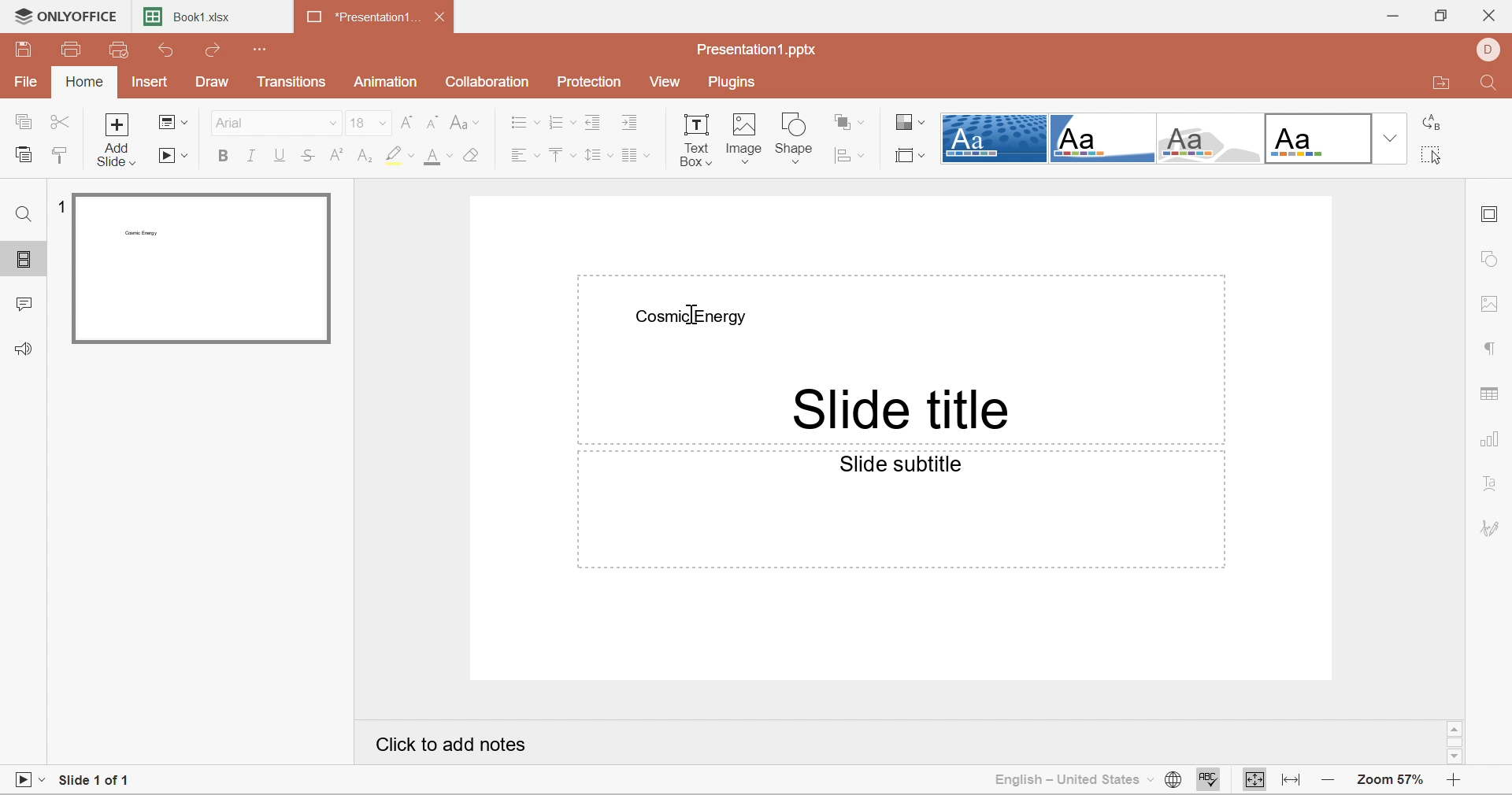 The width and height of the screenshot is (1512, 795). What do you see at coordinates (24, 49) in the screenshot?
I see `Save` at bounding box center [24, 49].